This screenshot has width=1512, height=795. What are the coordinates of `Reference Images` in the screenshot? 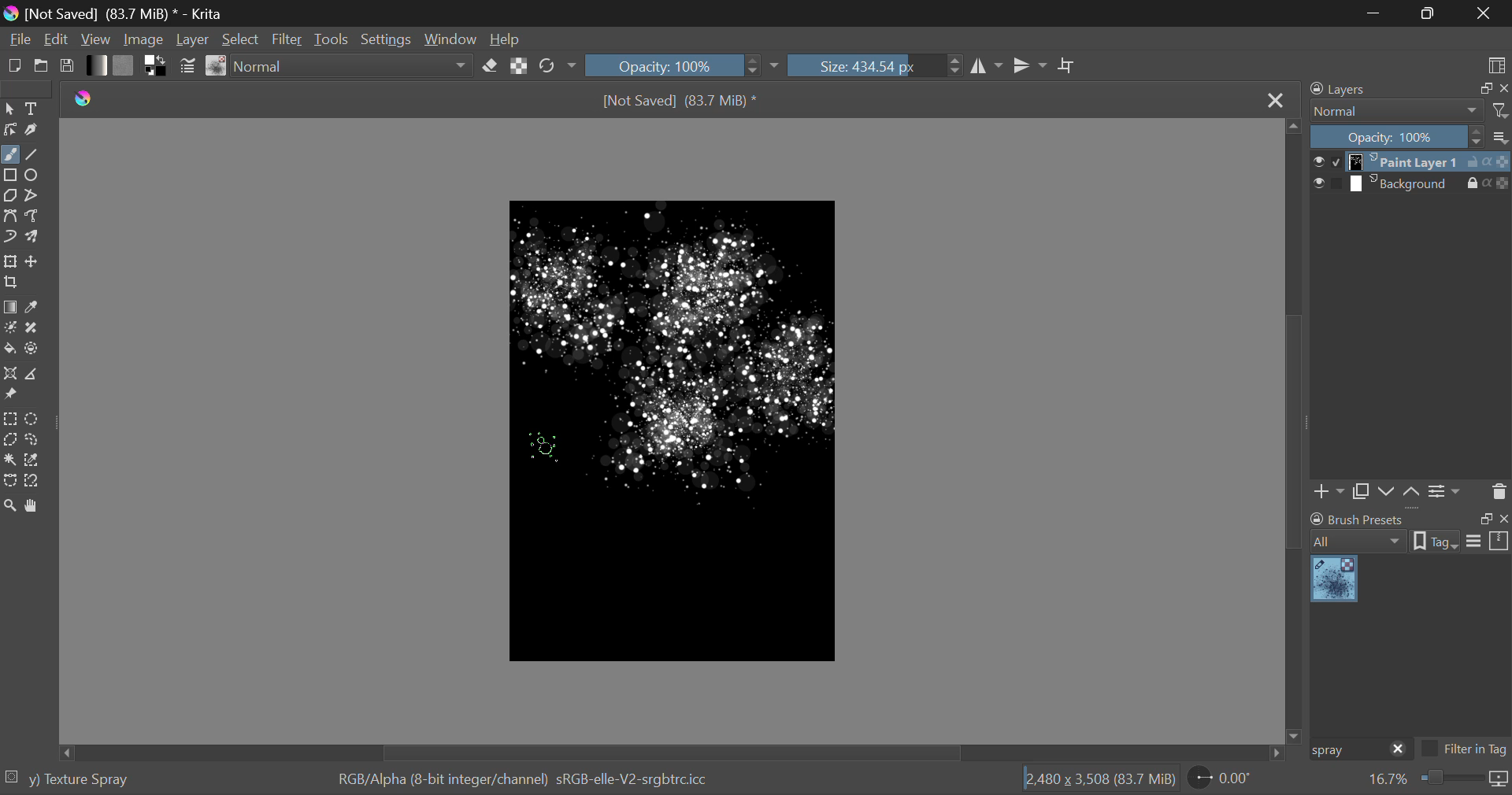 It's located at (9, 394).